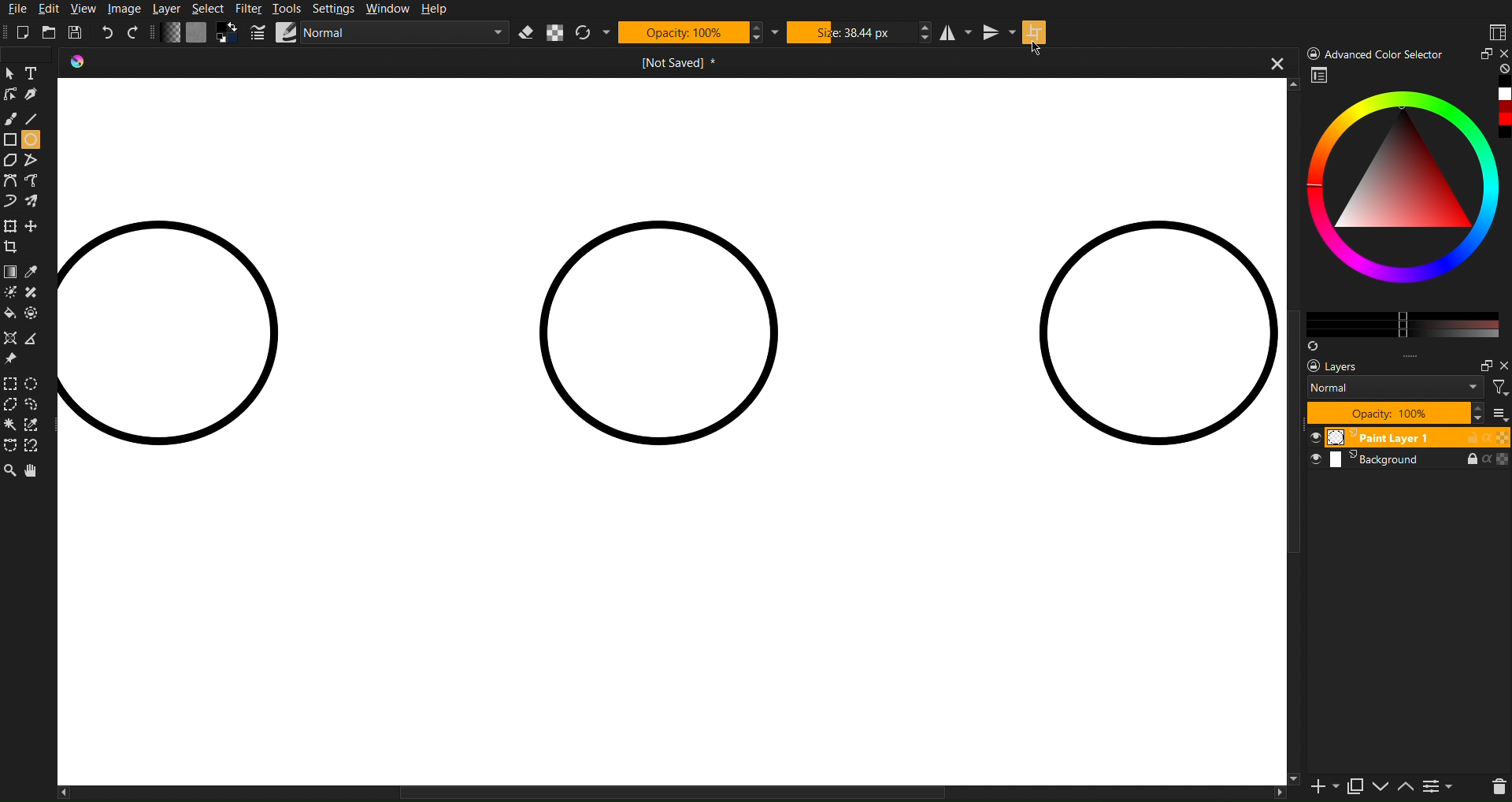  Describe the element at coordinates (38, 74) in the screenshot. I see `Text` at that location.